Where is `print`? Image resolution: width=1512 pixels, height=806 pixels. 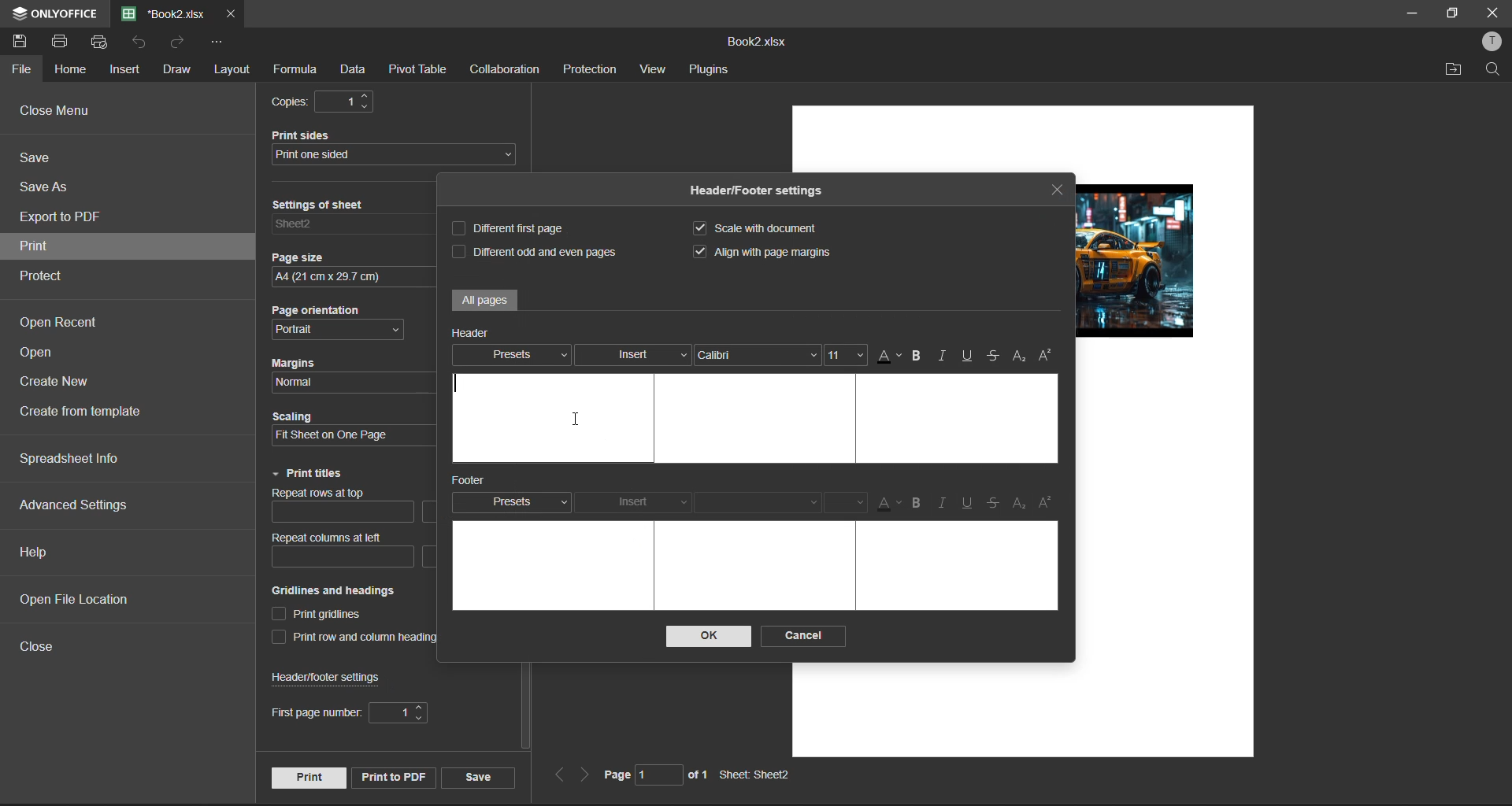
print is located at coordinates (42, 246).